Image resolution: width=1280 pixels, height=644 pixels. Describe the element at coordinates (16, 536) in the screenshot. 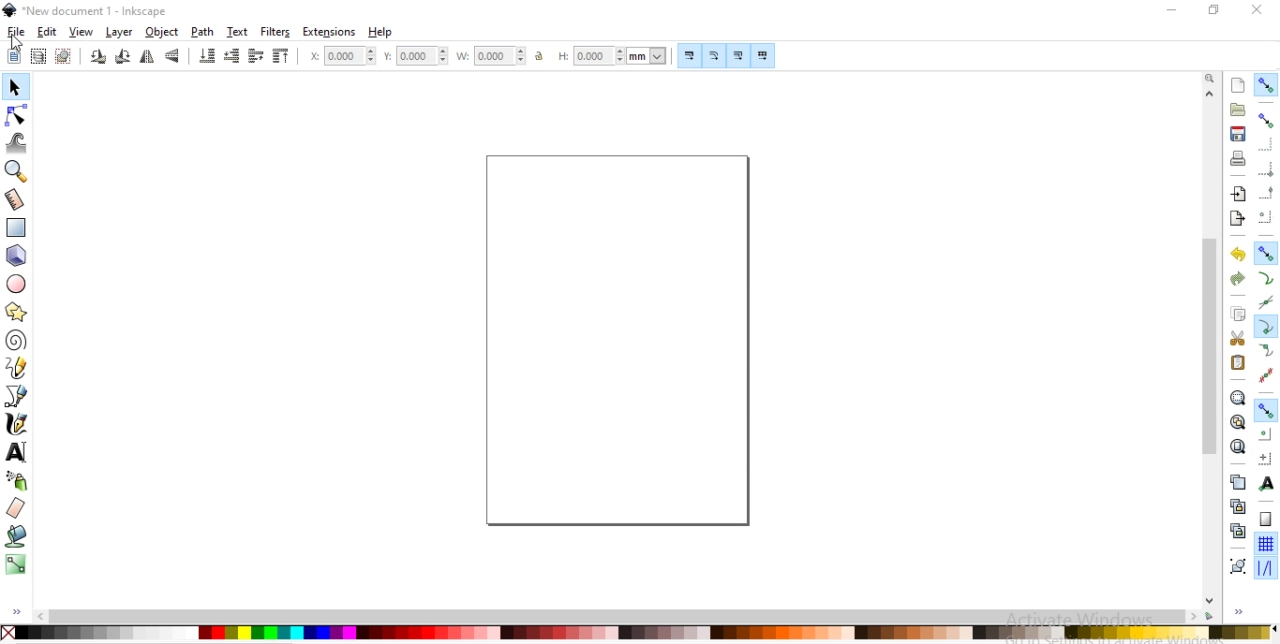

I see `fill bounded areas` at that location.